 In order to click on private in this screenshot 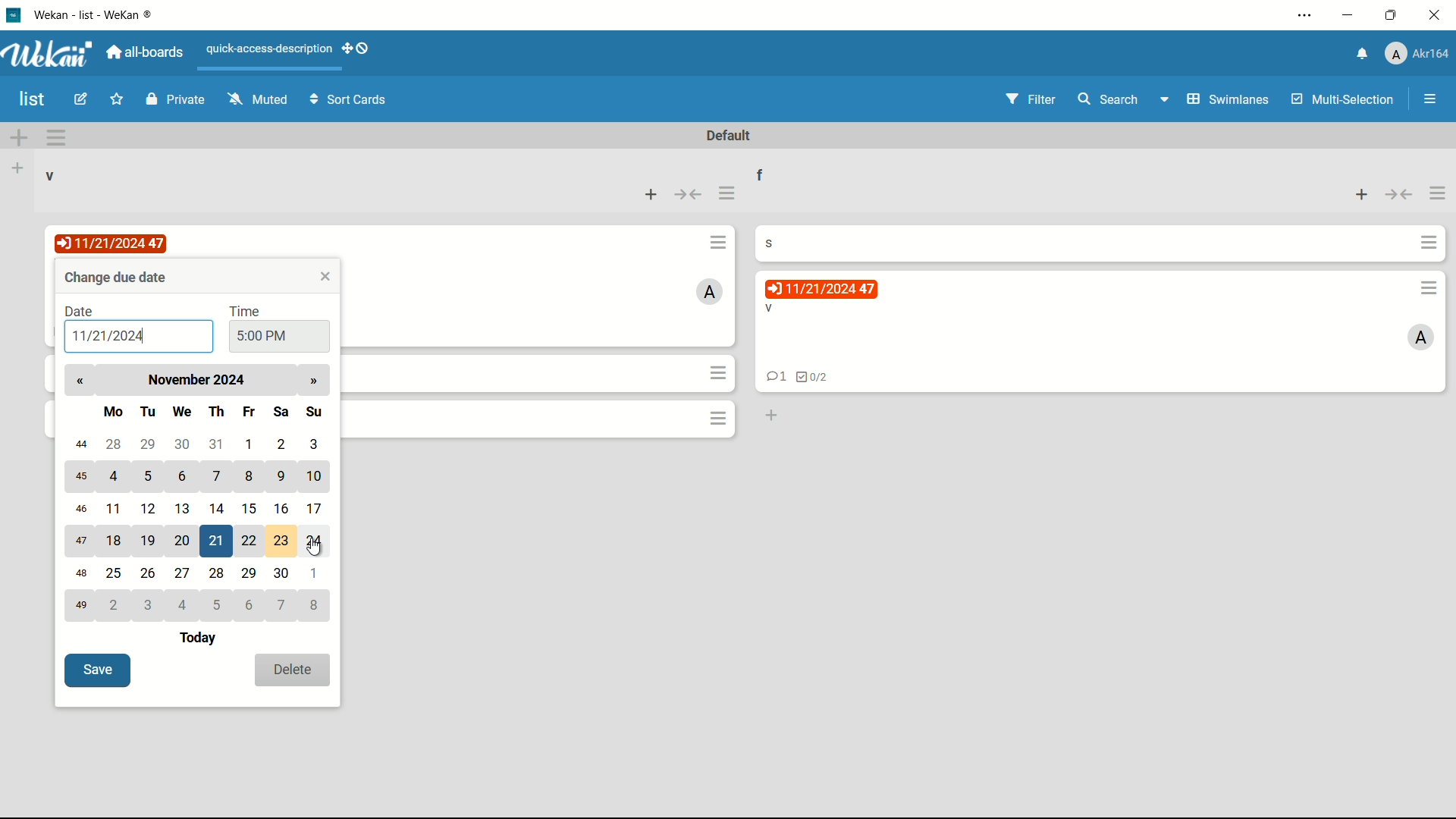, I will do `click(175, 101)`.